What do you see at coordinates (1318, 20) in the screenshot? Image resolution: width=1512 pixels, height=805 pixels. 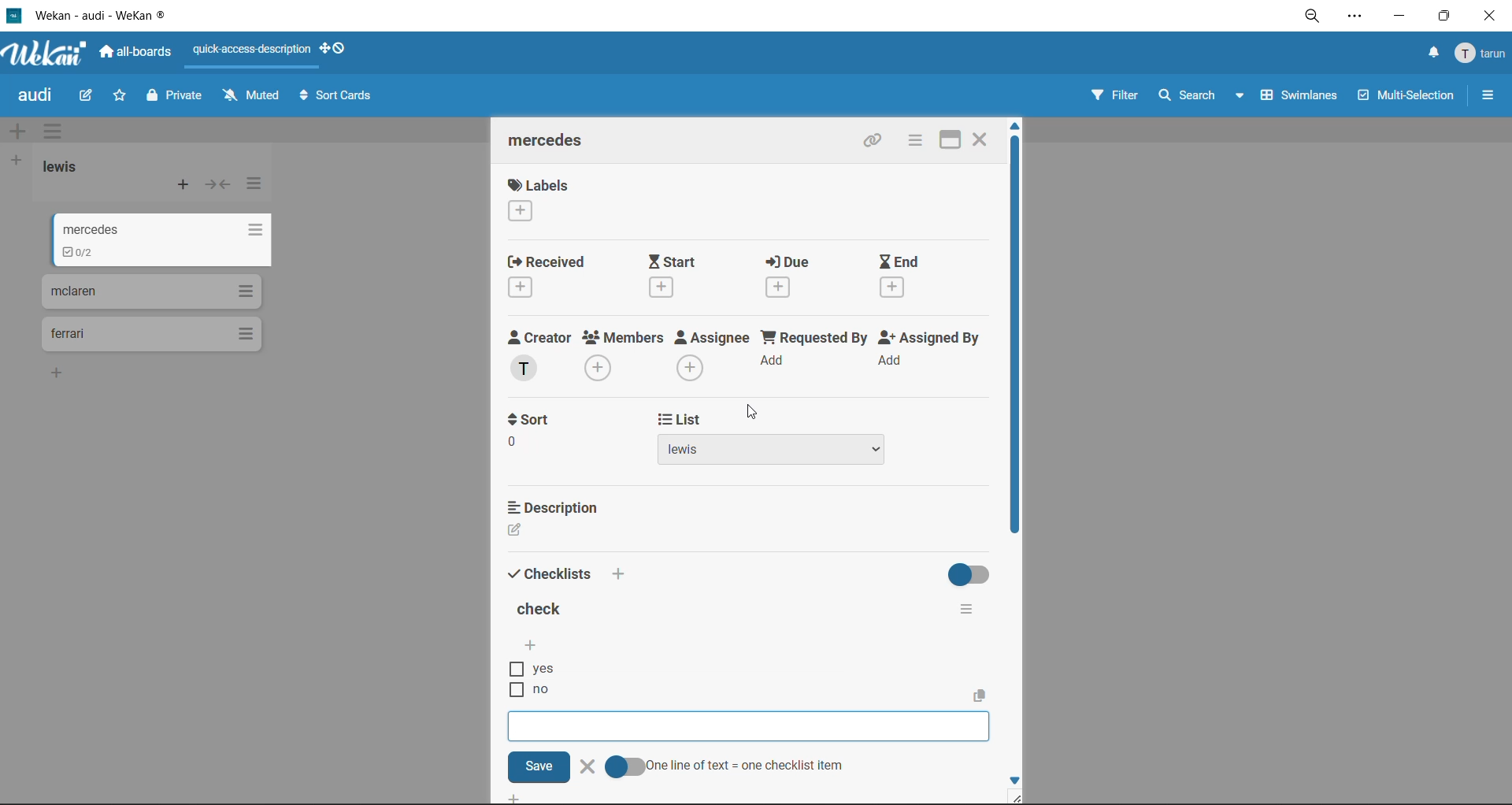 I see `zoom` at bounding box center [1318, 20].